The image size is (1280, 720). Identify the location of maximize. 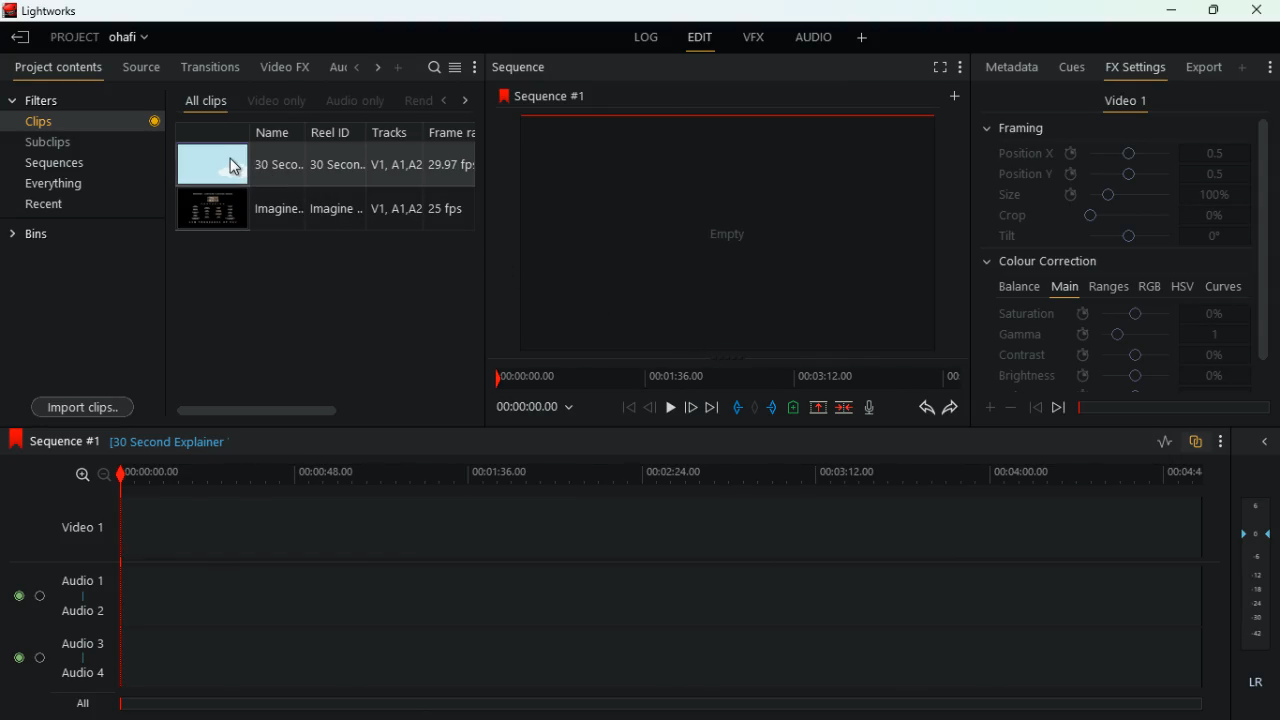
(1215, 10).